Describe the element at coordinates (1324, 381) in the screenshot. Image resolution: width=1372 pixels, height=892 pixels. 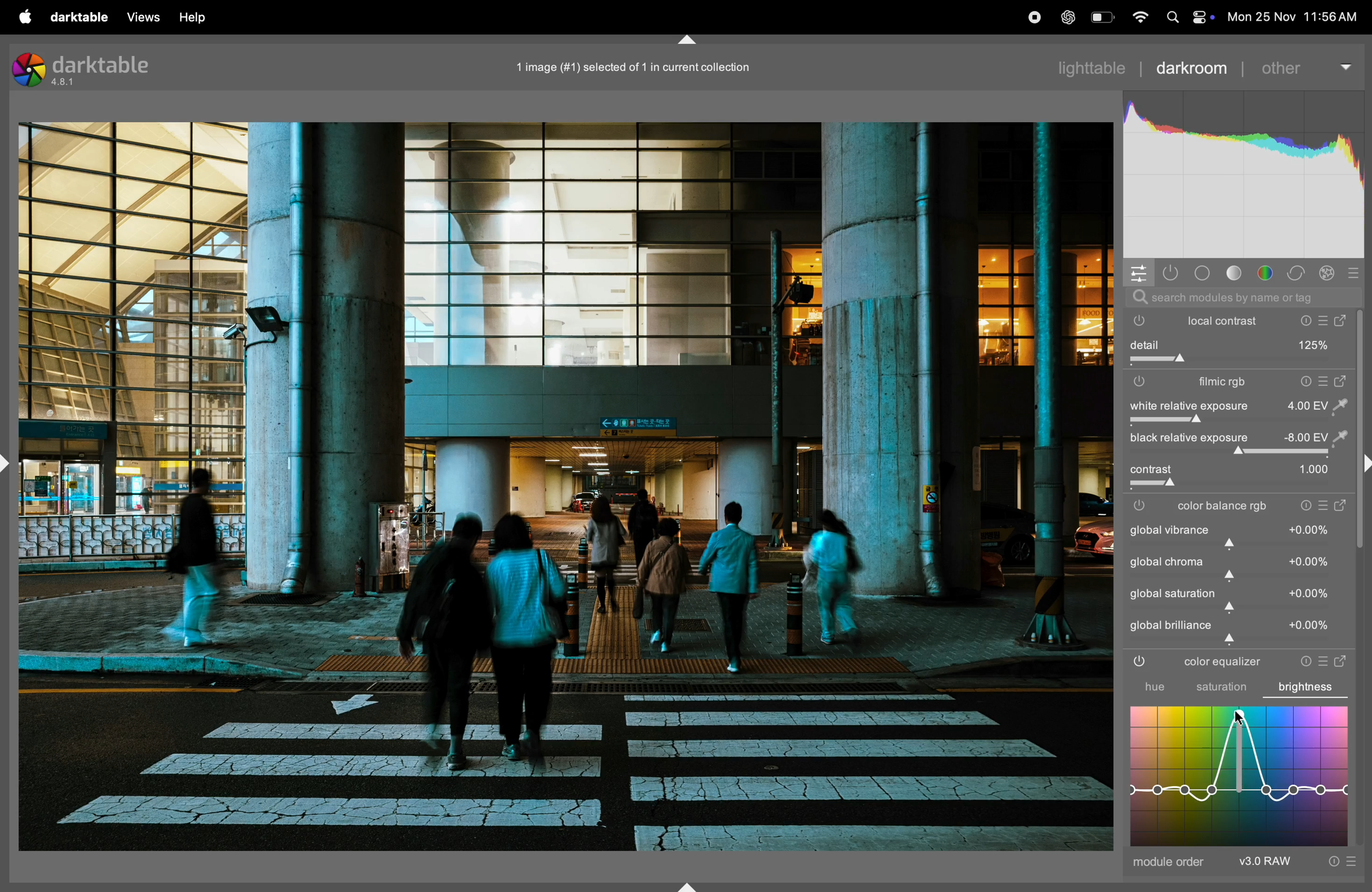
I see `presets` at that location.